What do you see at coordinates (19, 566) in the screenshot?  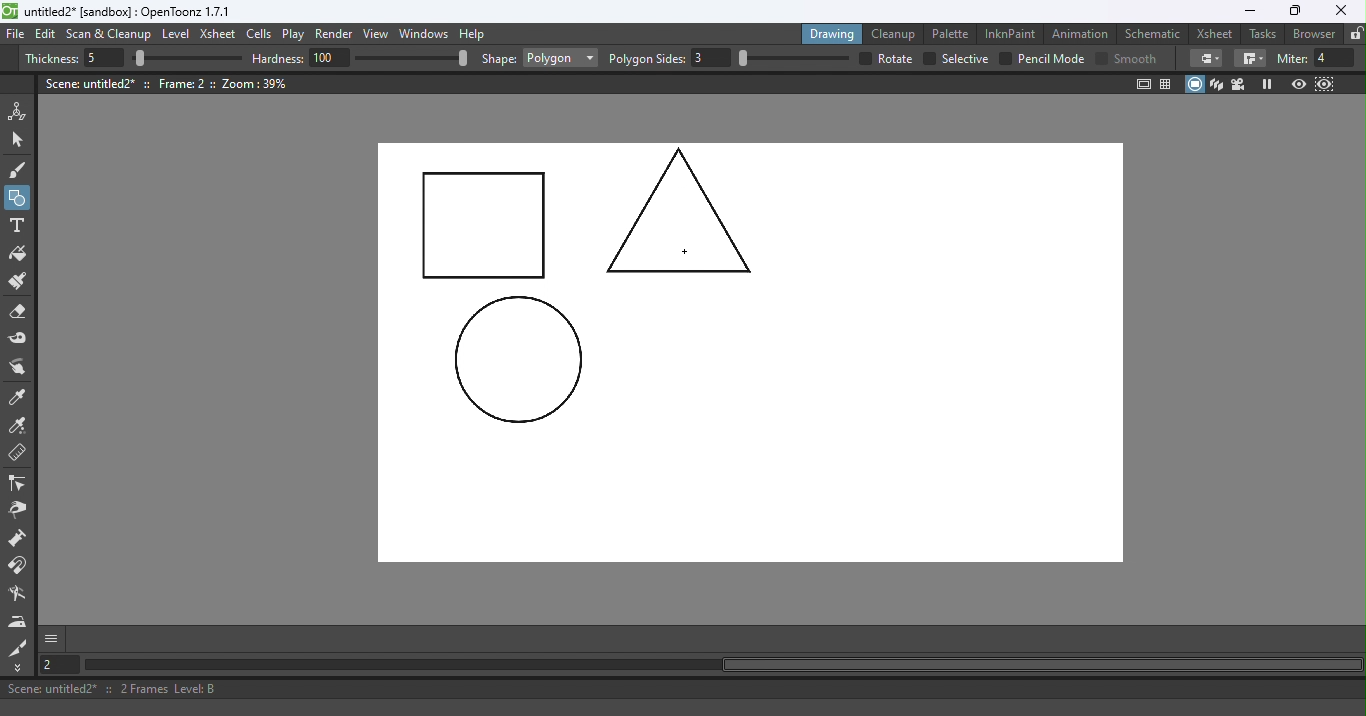 I see `Magnet tool` at bounding box center [19, 566].